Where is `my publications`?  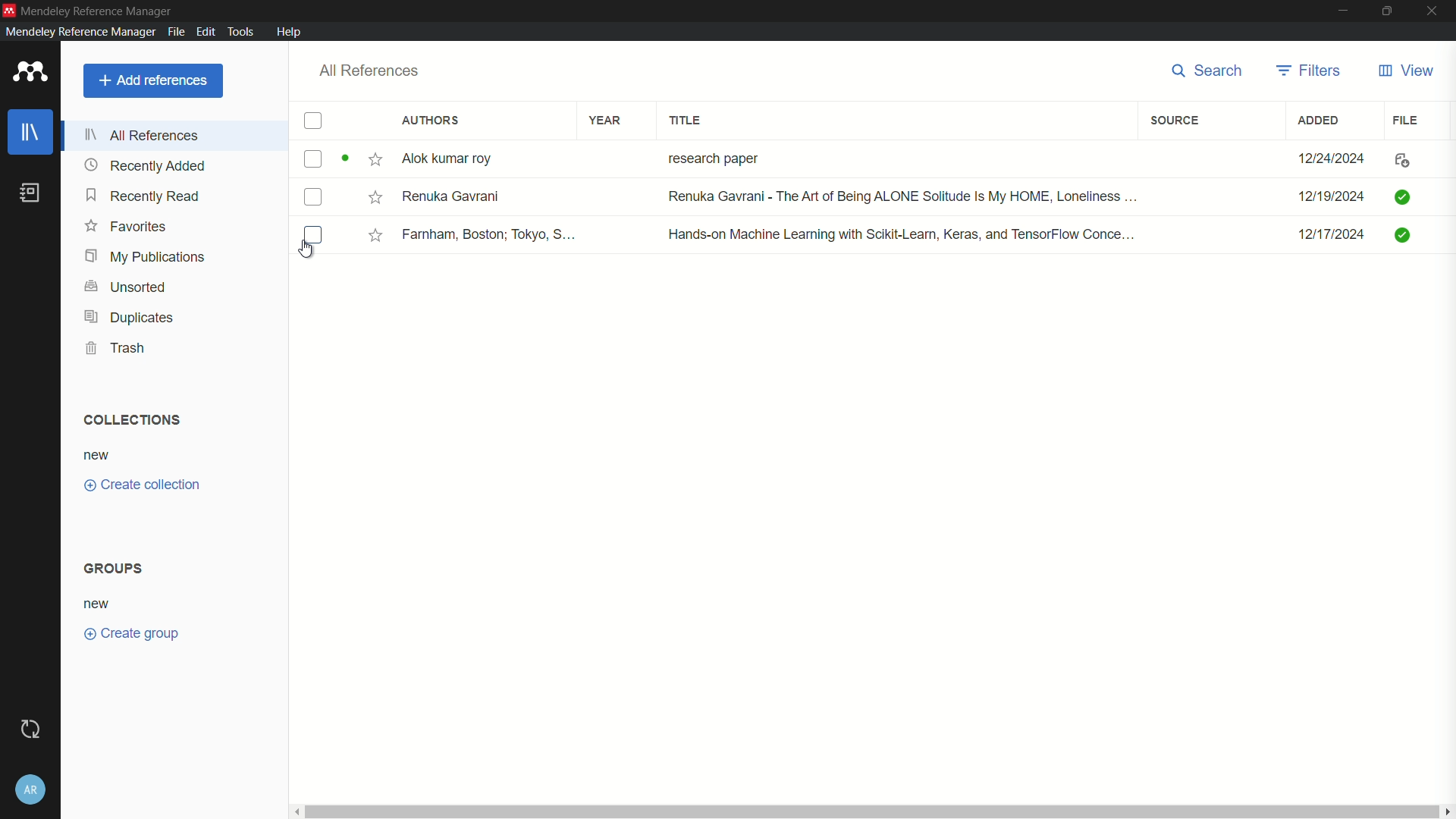
my publications is located at coordinates (144, 257).